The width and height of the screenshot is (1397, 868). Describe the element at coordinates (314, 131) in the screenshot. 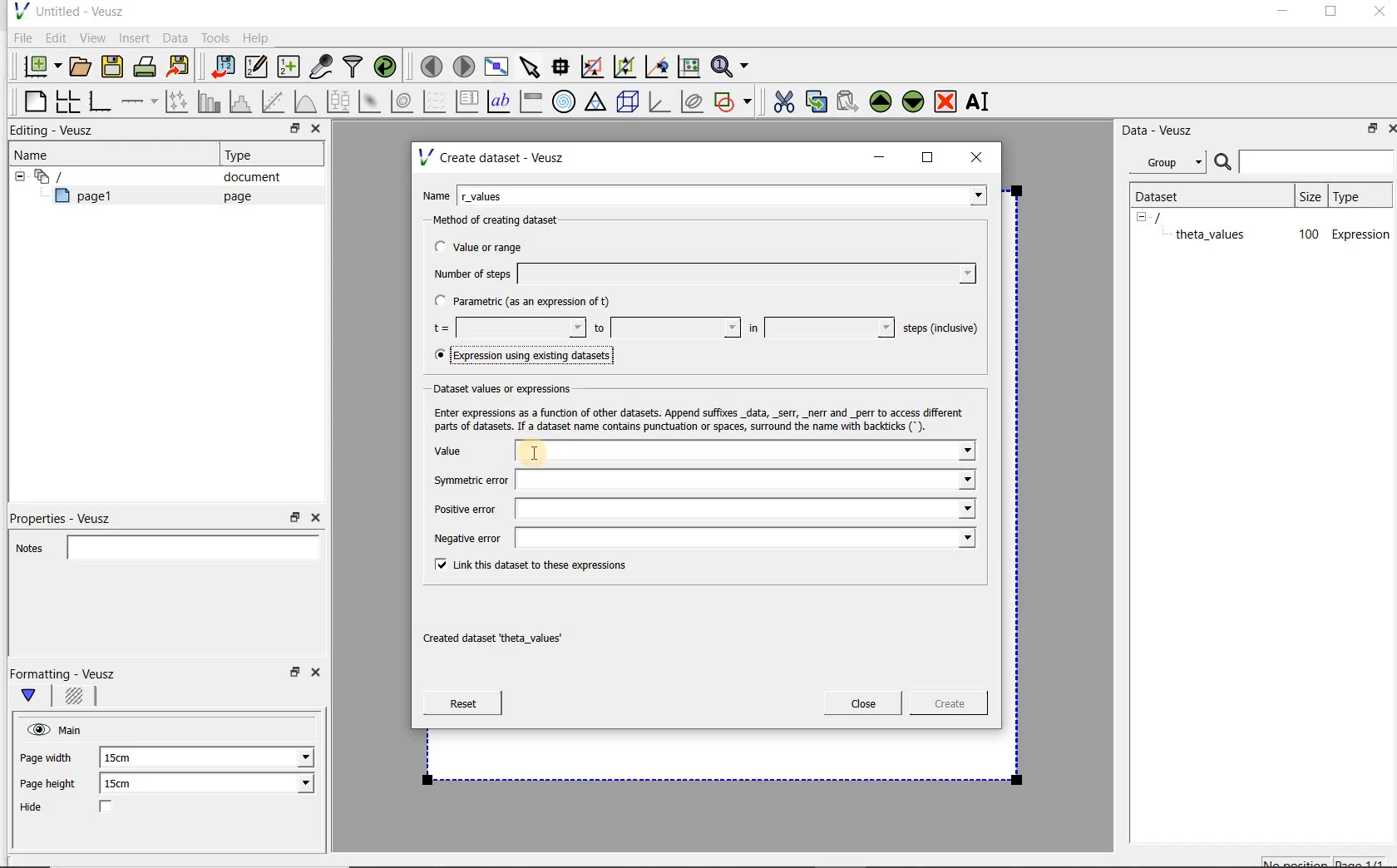

I see `Close` at that location.